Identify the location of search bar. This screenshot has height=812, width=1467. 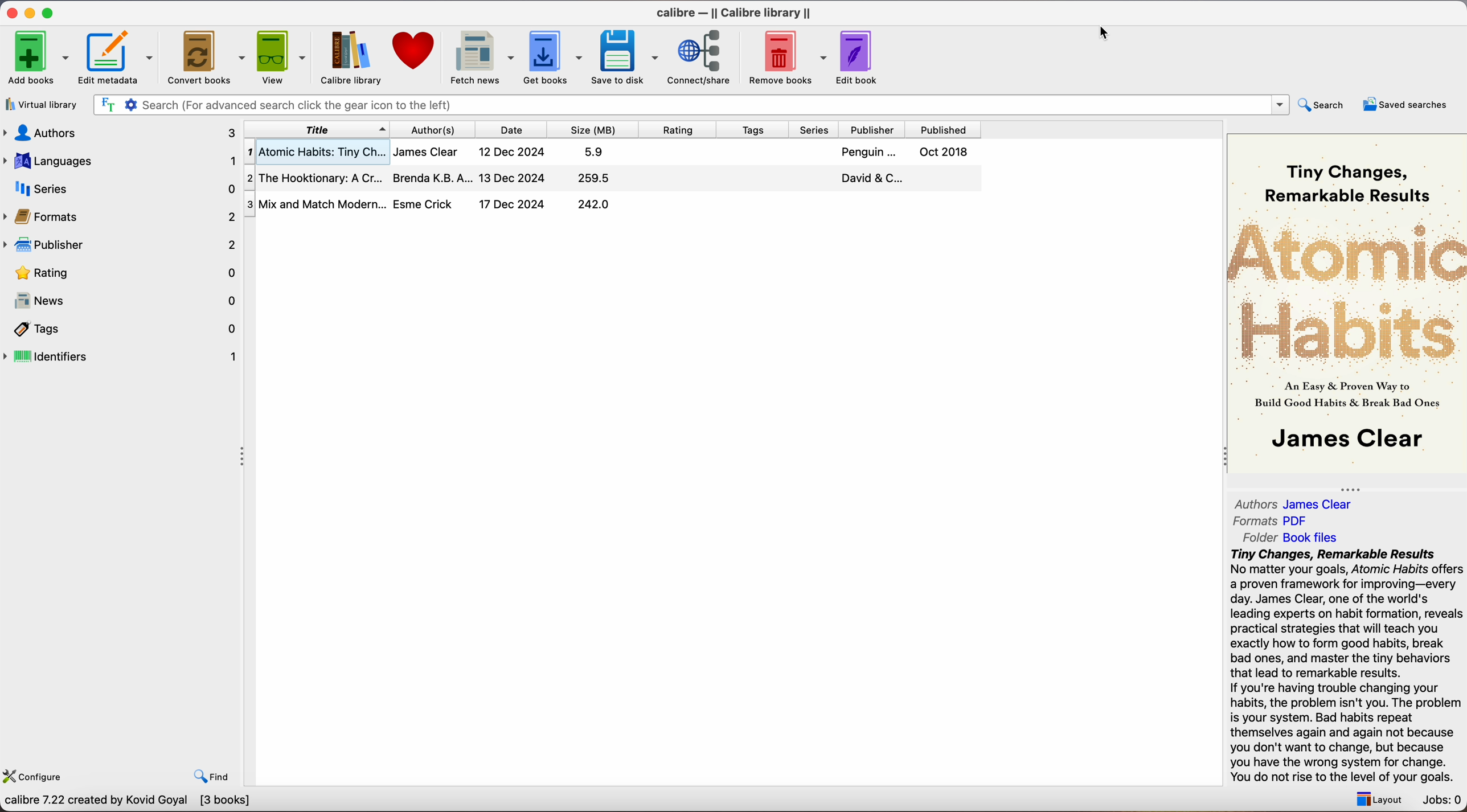
(690, 105).